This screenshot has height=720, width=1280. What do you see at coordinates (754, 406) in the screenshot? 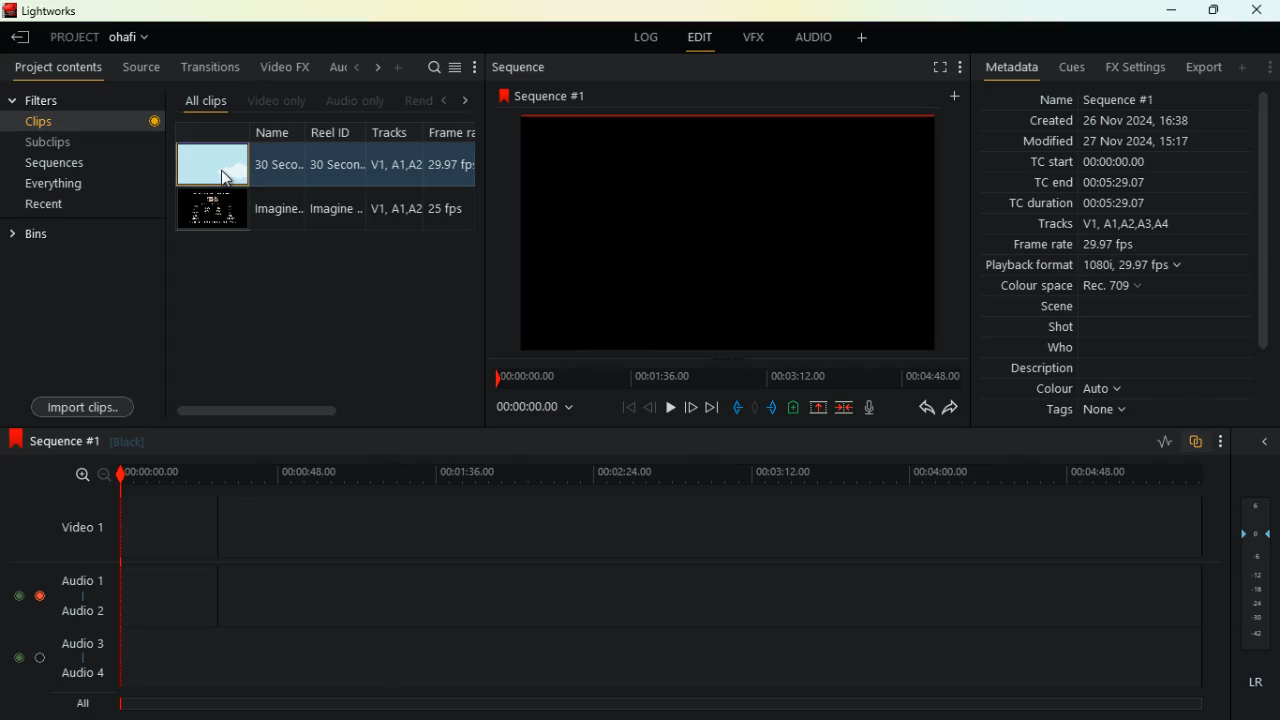
I see `hold` at bounding box center [754, 406].